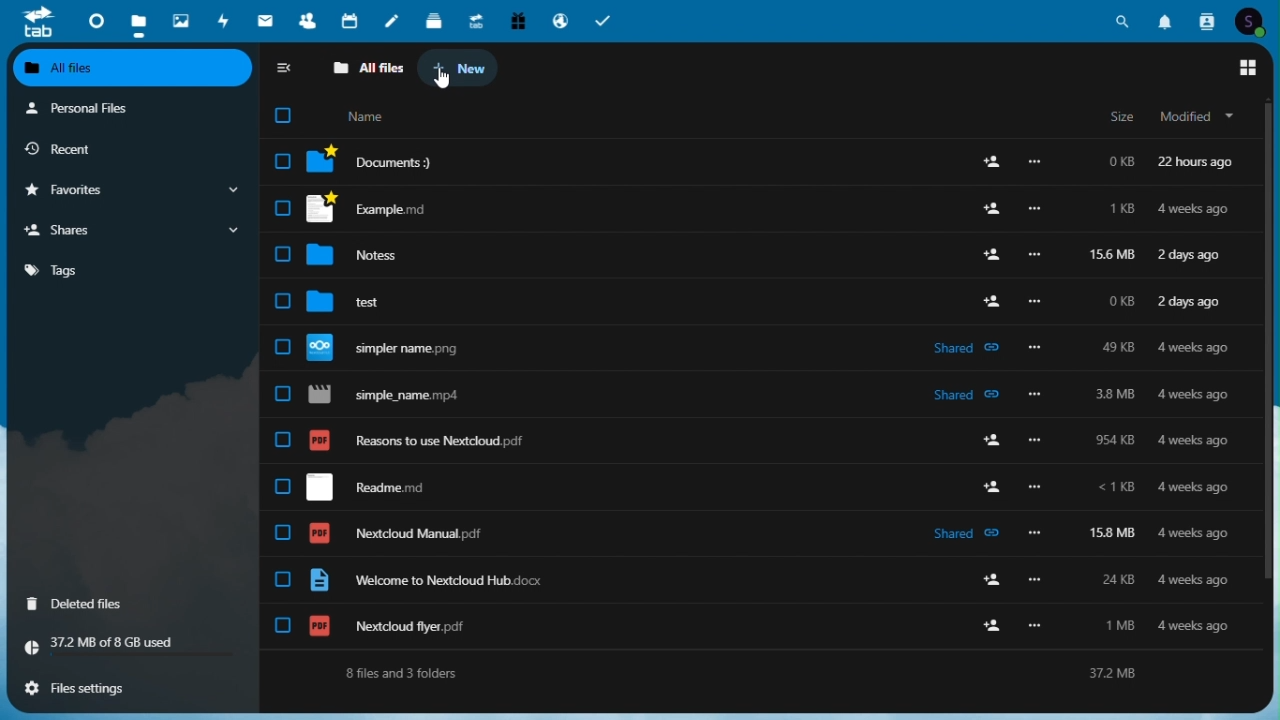 Image resolution: width=1280 pixels, height=720 pixels. I want to click on Notifications, so click(1163, 21).